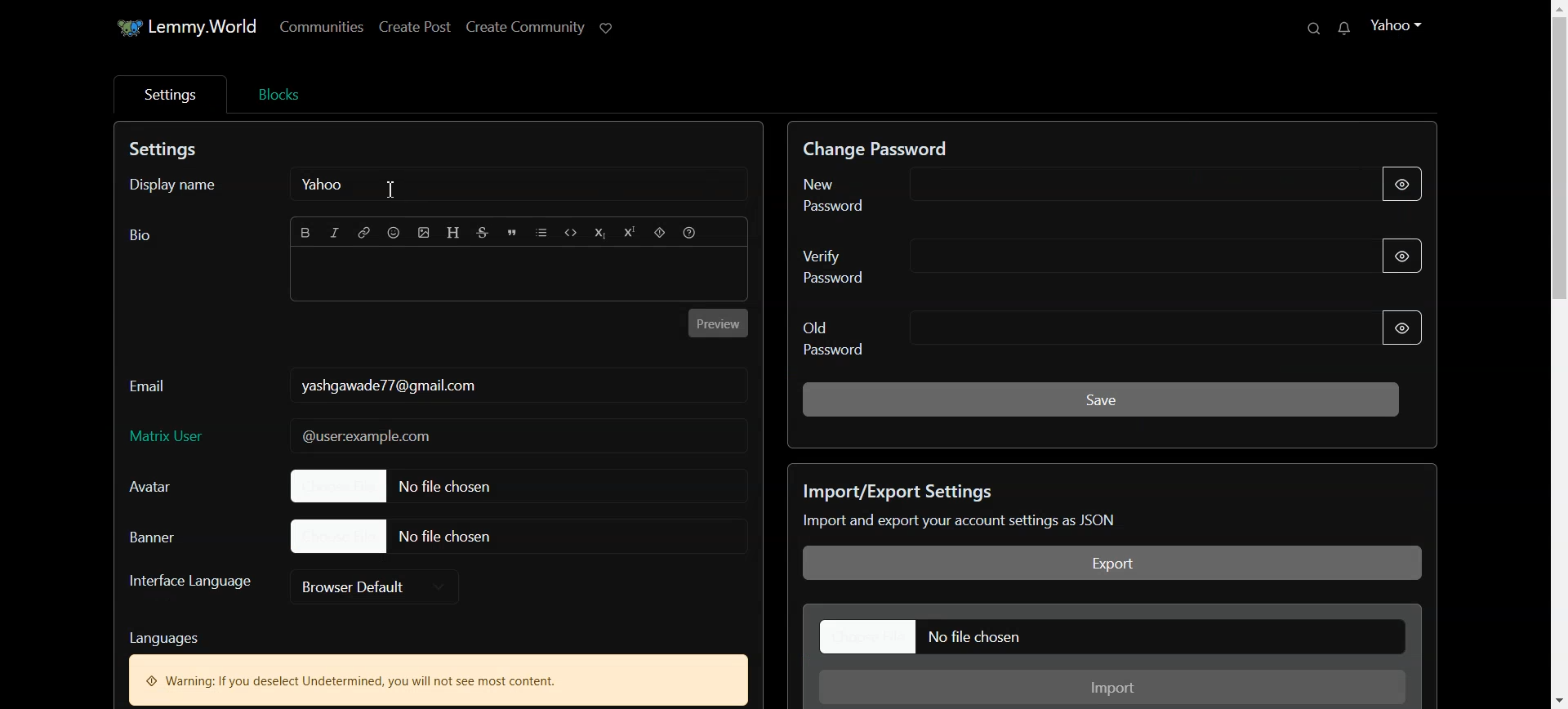  What do you see at coordinates (1049, 262) in the screenshot?
I see `Verify password` at bounding box center [1049, 262].